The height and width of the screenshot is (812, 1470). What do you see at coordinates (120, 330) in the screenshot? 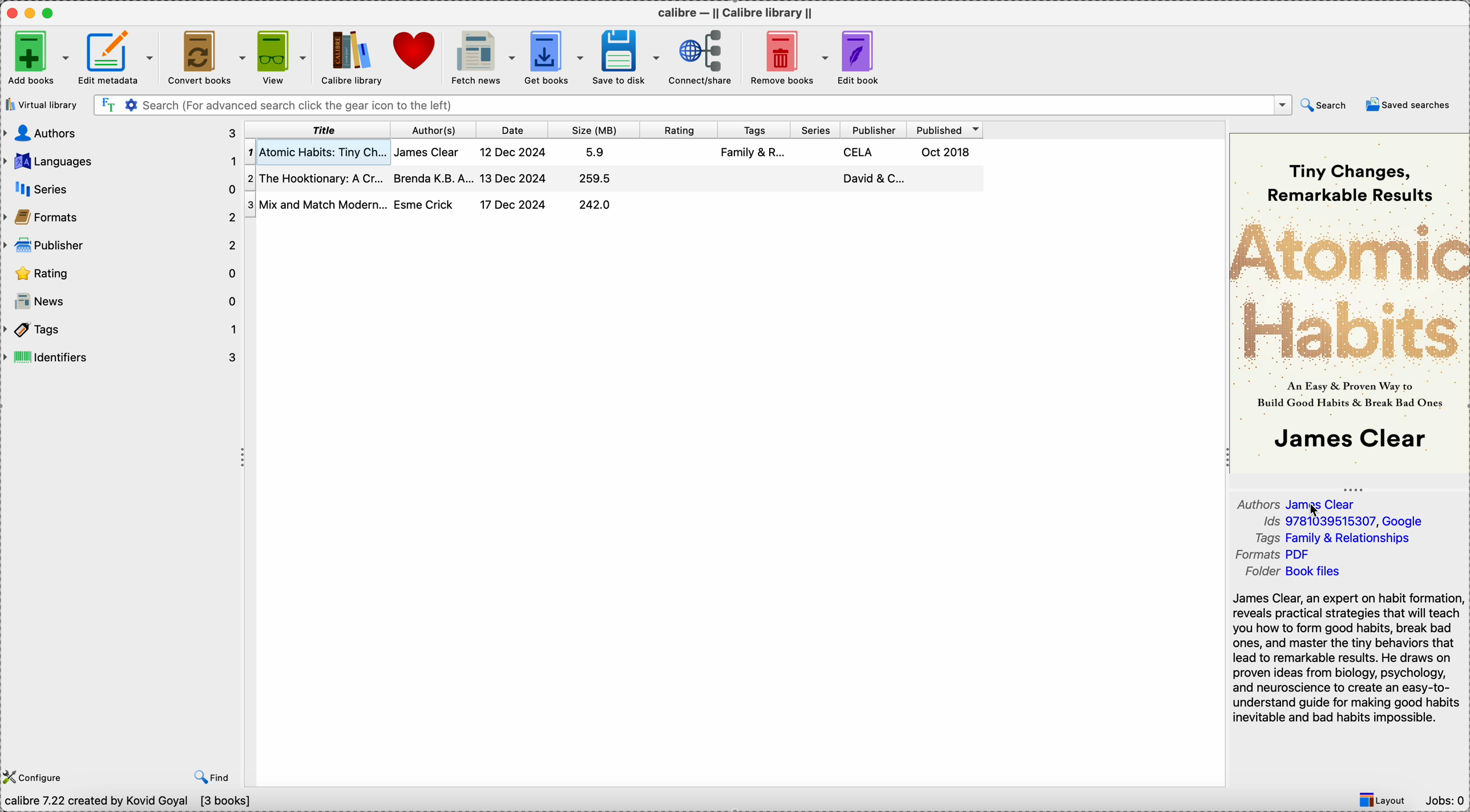
I see `tags` at bounding box center [120, 330].